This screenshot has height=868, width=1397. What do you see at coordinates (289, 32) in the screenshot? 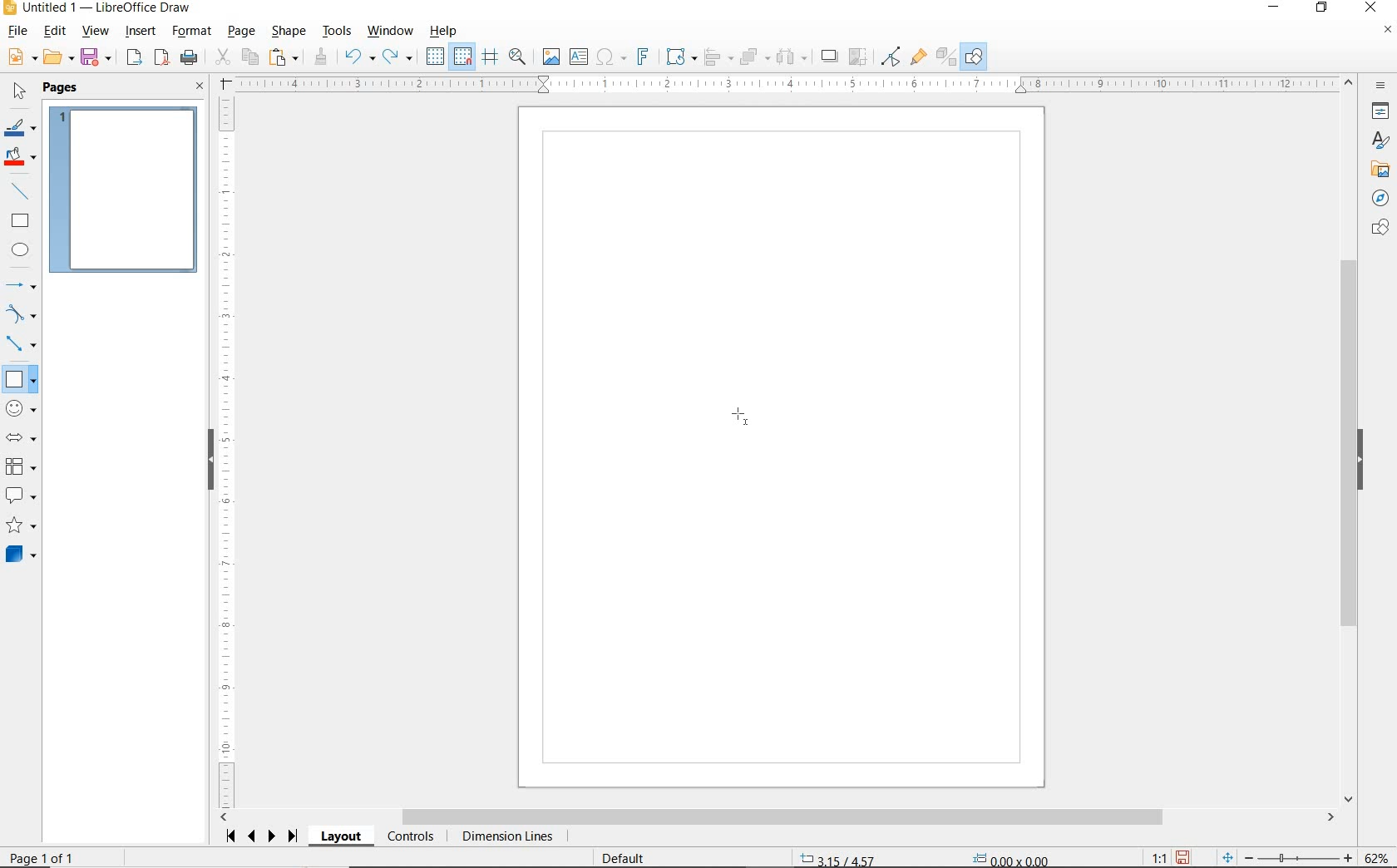
I see `SHAPE` at bounding box center [289, 32].